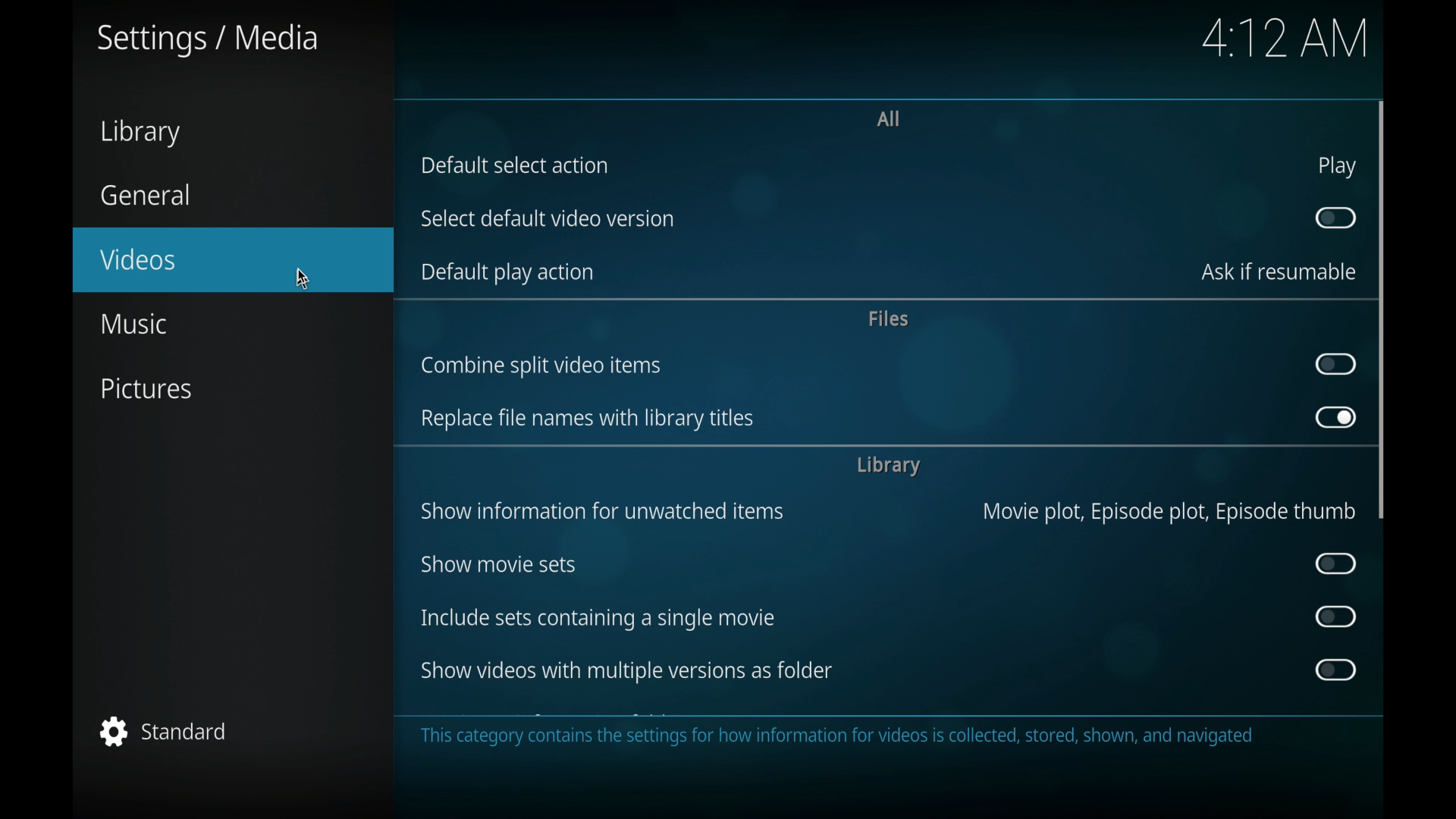 Image resolution: width=1456 pixels, height=819 pixels. What do you see at coordinates (624, 671) in the screenshot?
I see `show videos with multiple versions as folders` at bounding box center [624, 671].